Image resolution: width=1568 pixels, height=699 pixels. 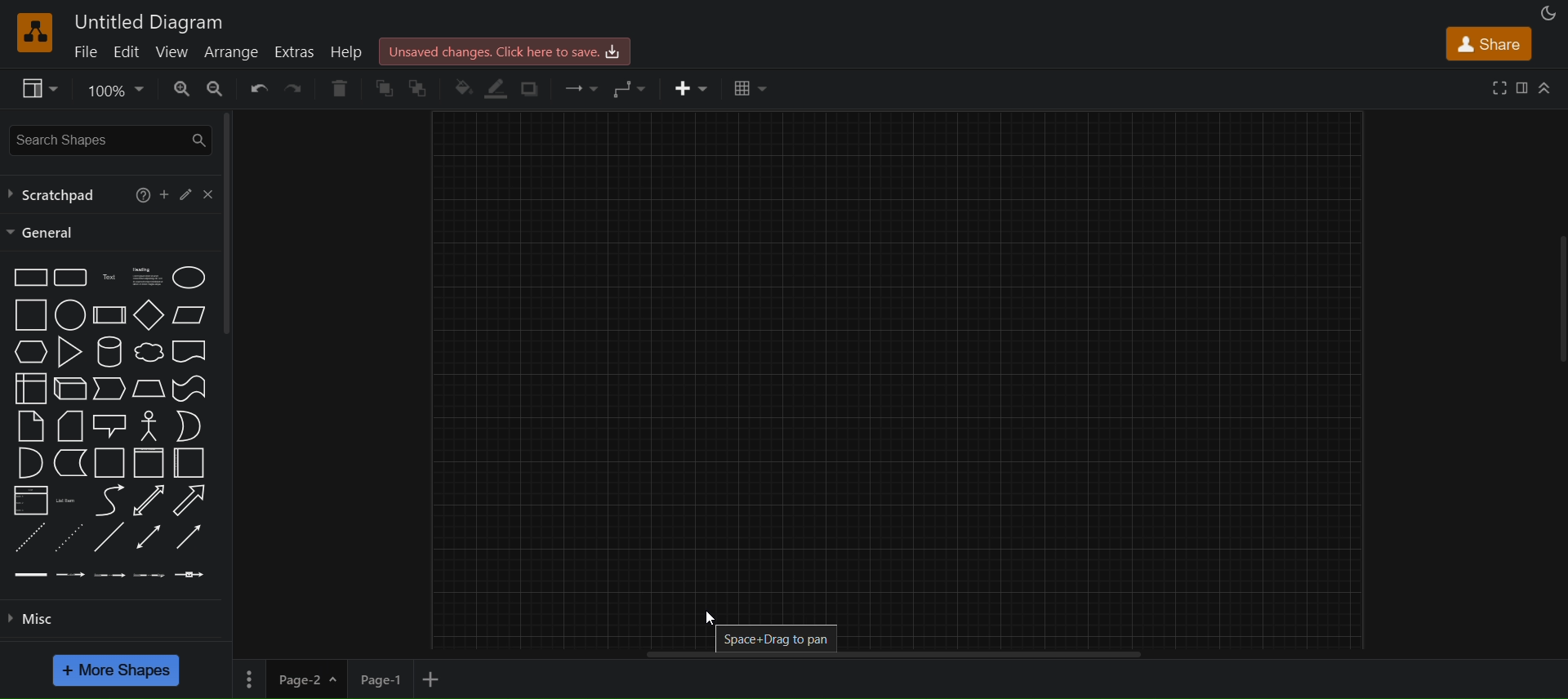 I want to click on delete, so click(x=338, y=88).